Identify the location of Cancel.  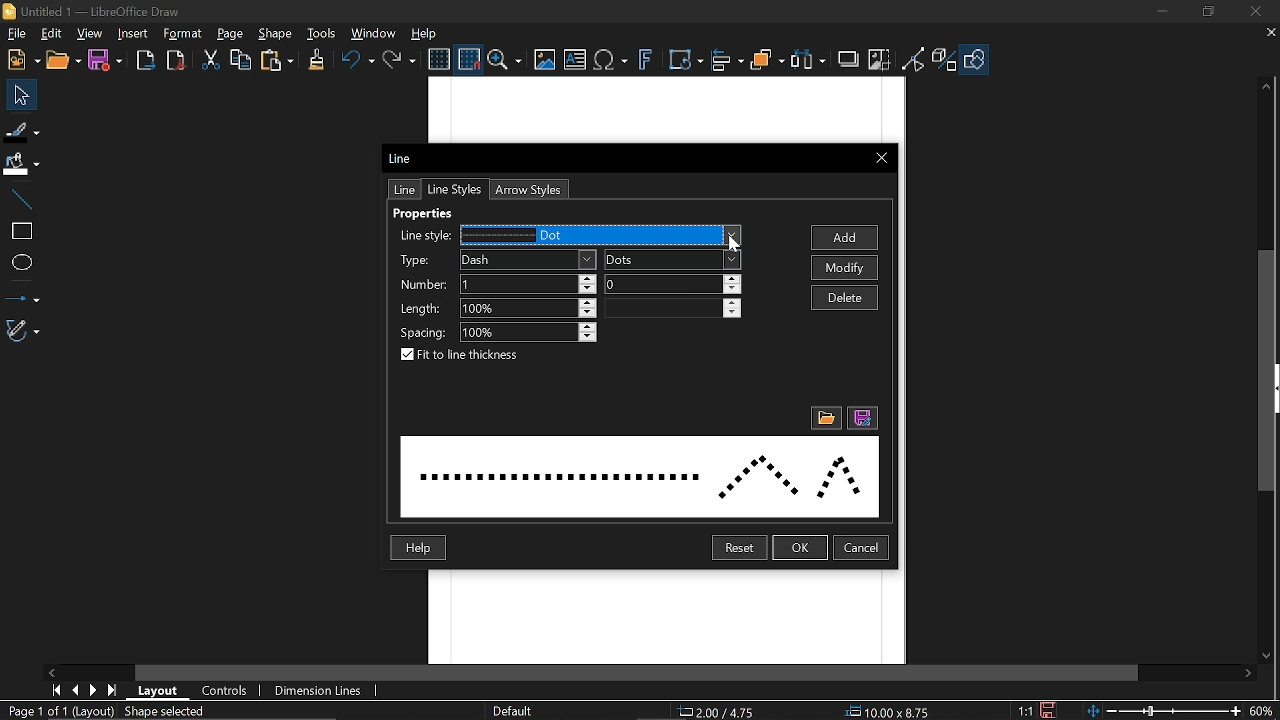
(863, 548).